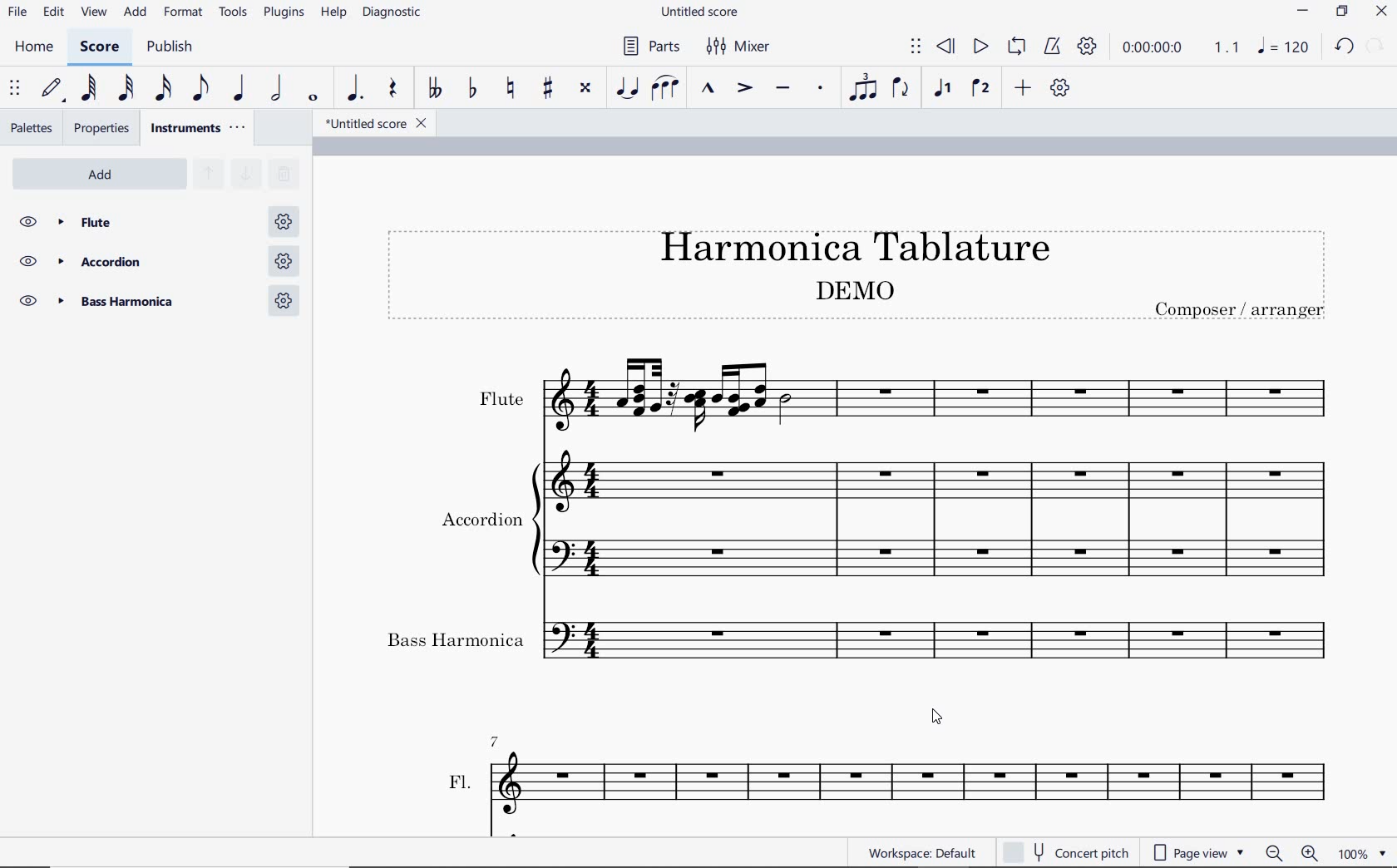 This screenshot has width=1397, height=868. What do you see at coordinates (392, 13) in the screenshot?
I see `diagnostic` at bounding box center [392, 13].